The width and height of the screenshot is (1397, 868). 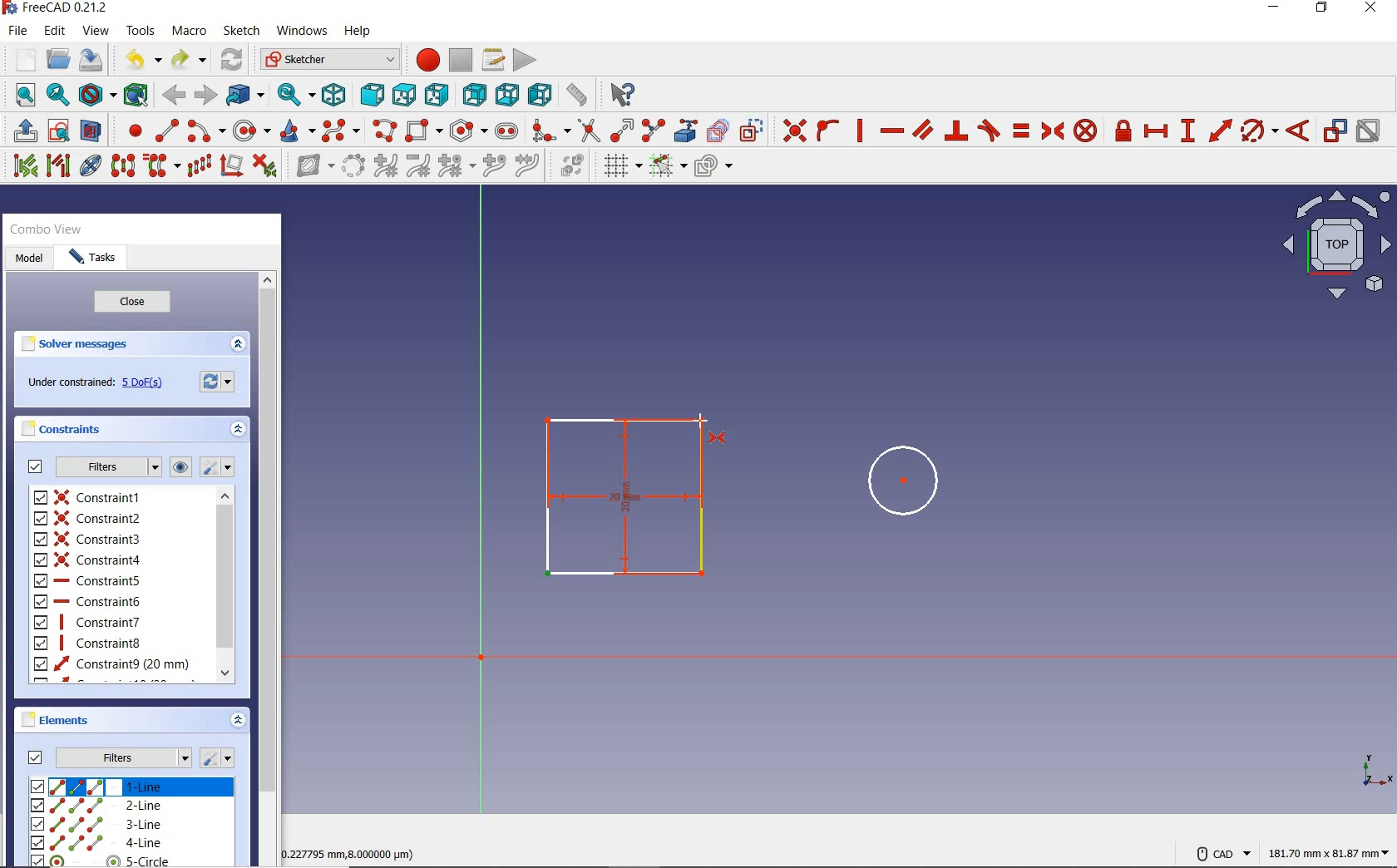 What do you see at coordinates (111, 664) in the screenshot?
I see `constraint9 (20MM)` at bounding box center [111, 664].